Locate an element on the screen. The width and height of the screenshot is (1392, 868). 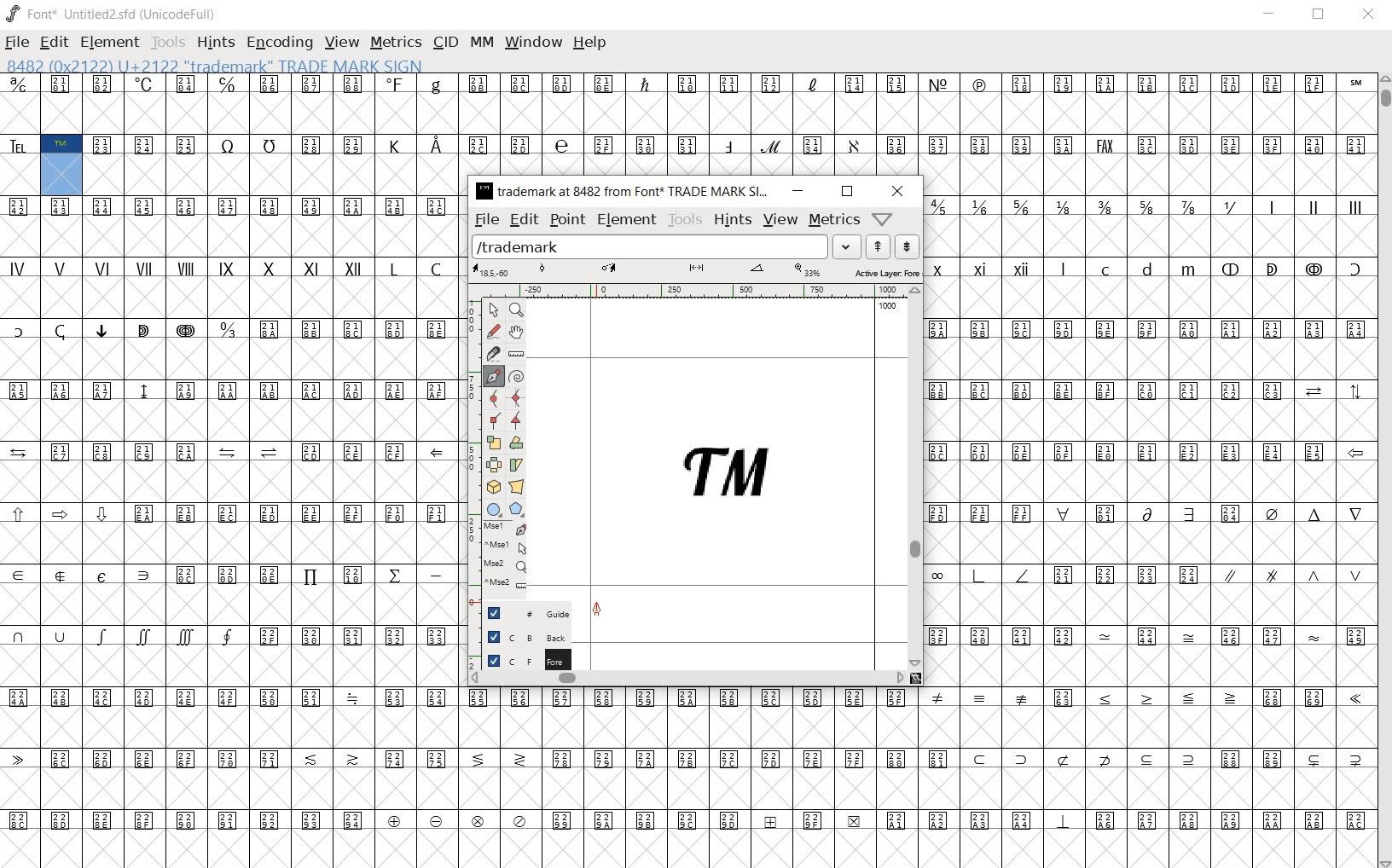
rectangle or ellipse is located at coordinates (491, 508).